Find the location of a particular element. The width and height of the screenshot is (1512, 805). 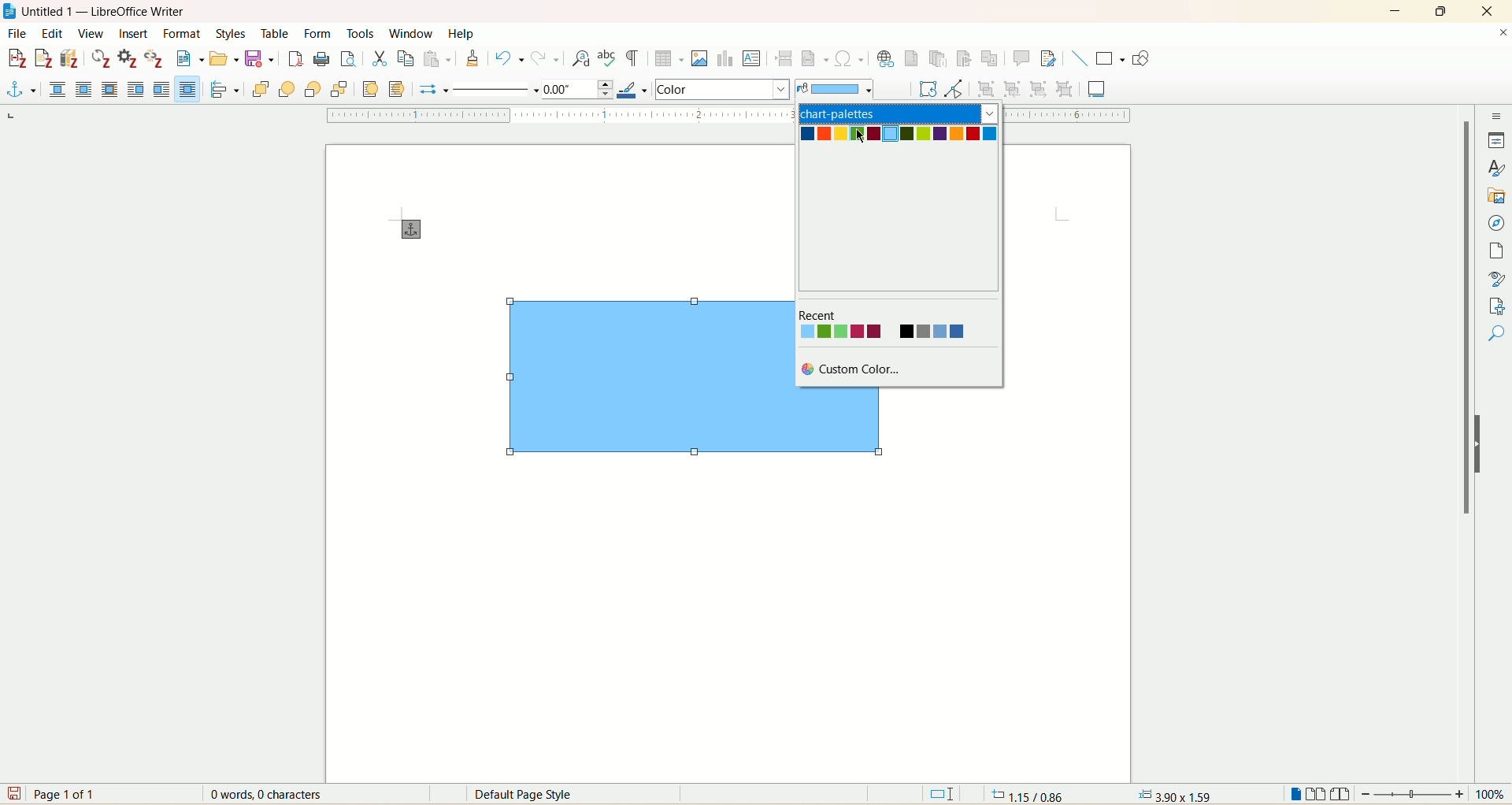

send to back is located at coordinates (337, 88).